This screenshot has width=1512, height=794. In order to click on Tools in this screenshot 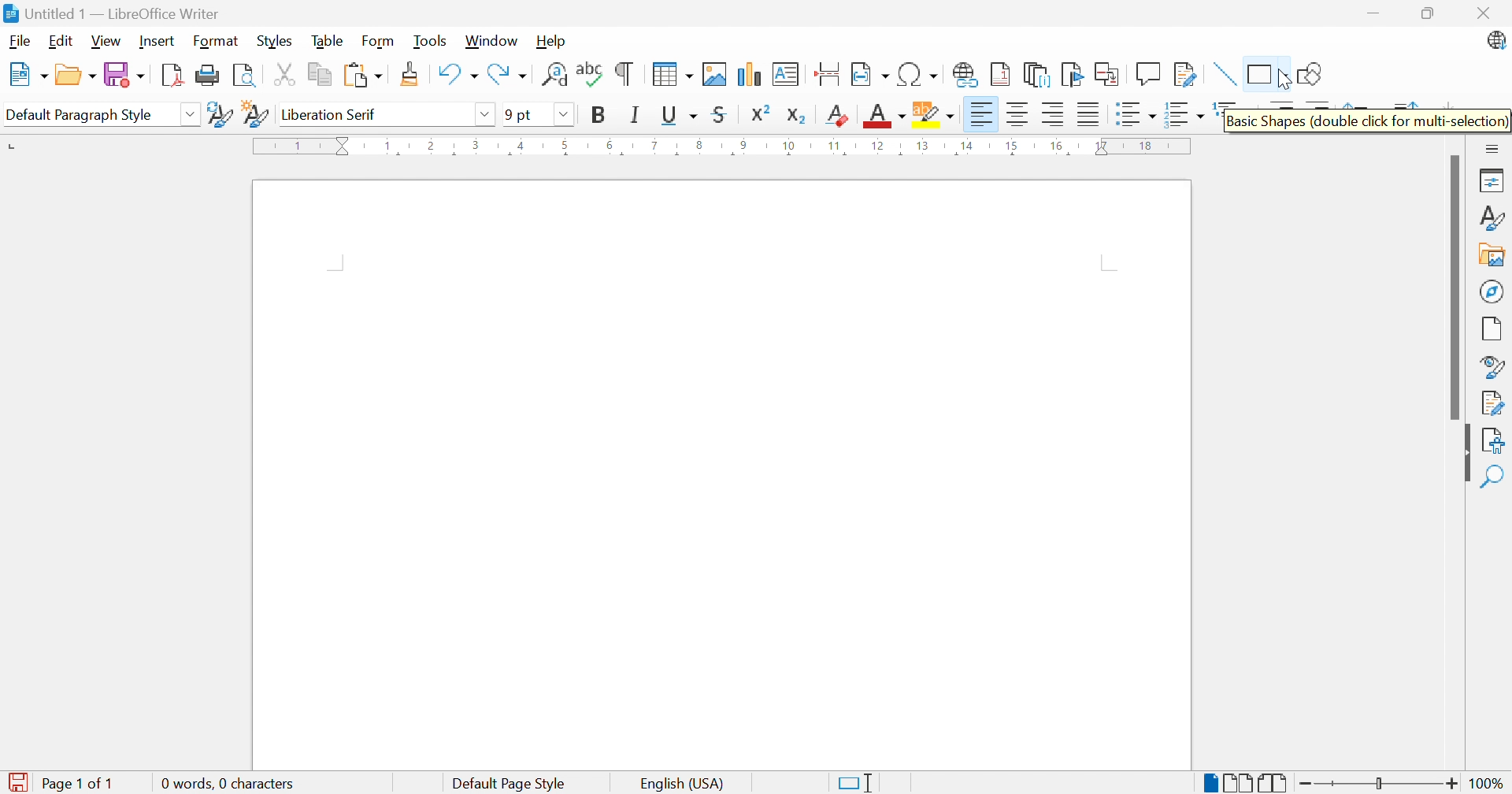, I will do `click(432, 42)`.